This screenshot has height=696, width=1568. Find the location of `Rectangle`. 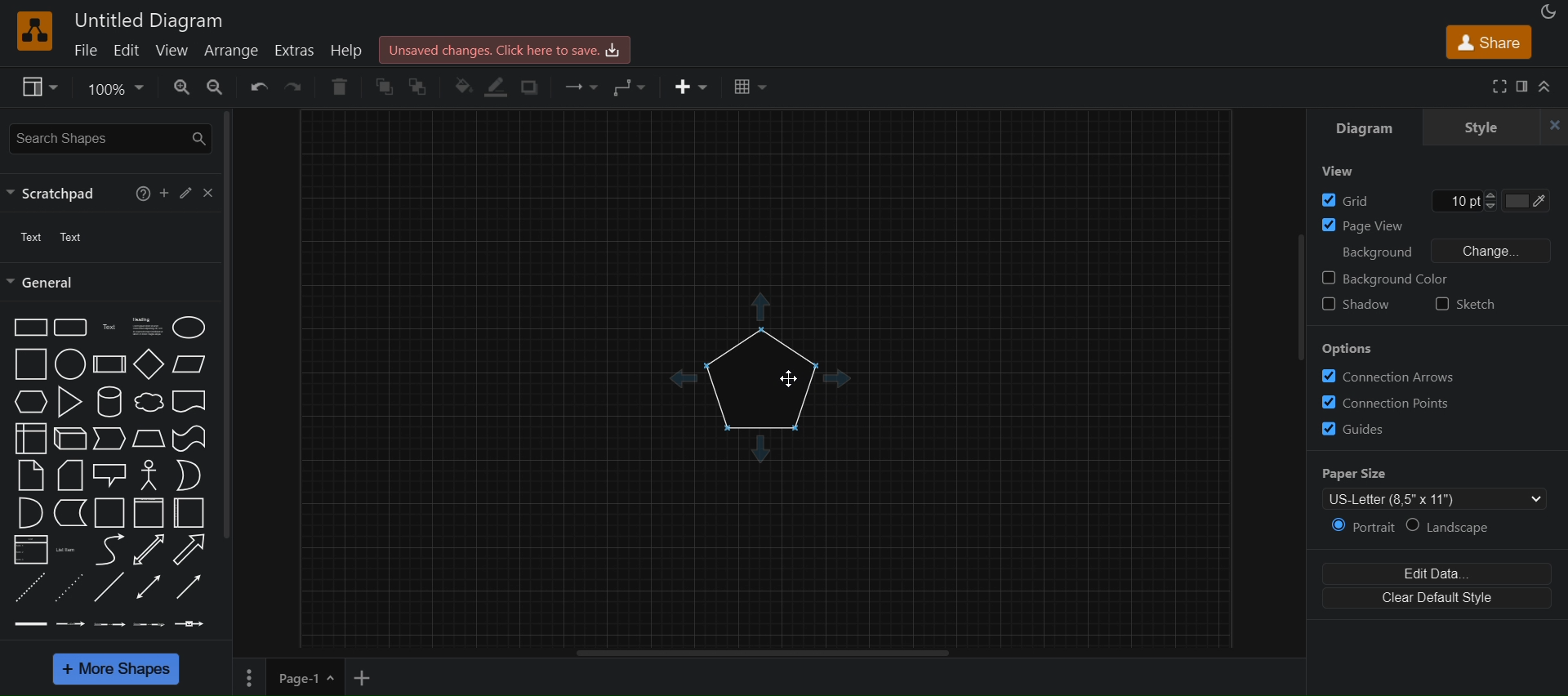

Rectangle is located at coordinates (30, 328).